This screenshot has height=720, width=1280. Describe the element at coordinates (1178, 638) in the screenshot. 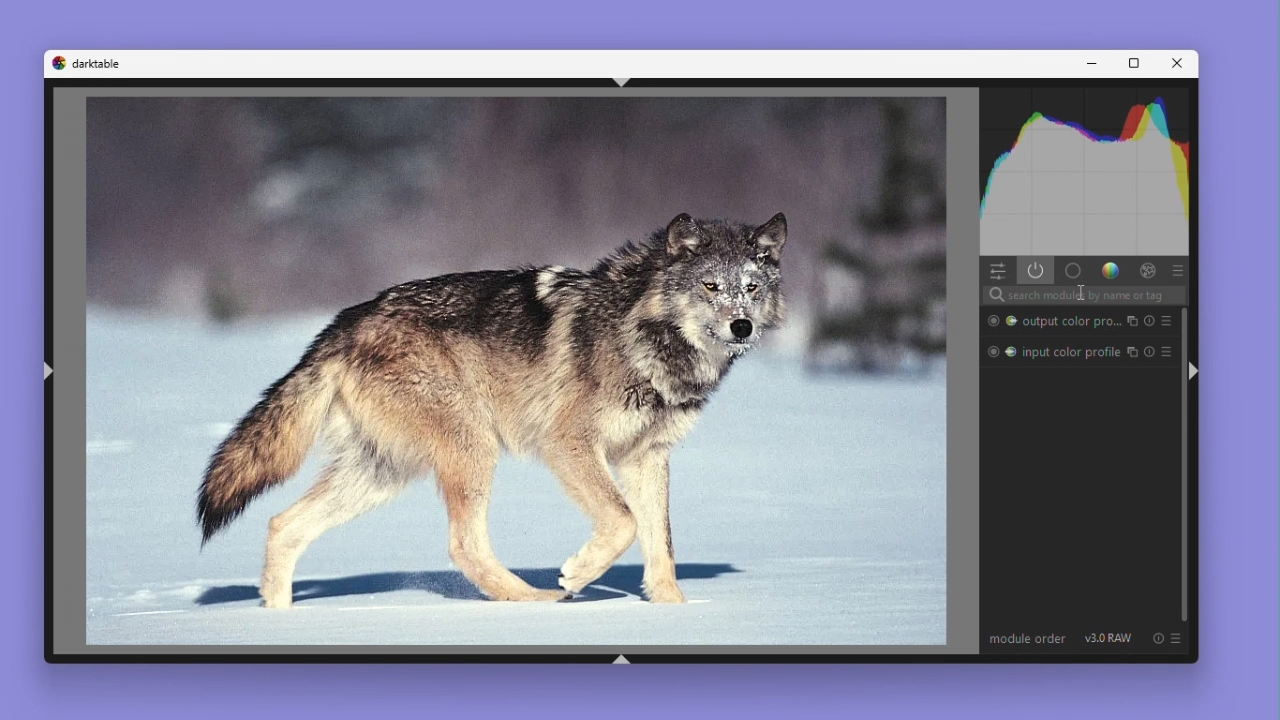

I see `preset` at that location.